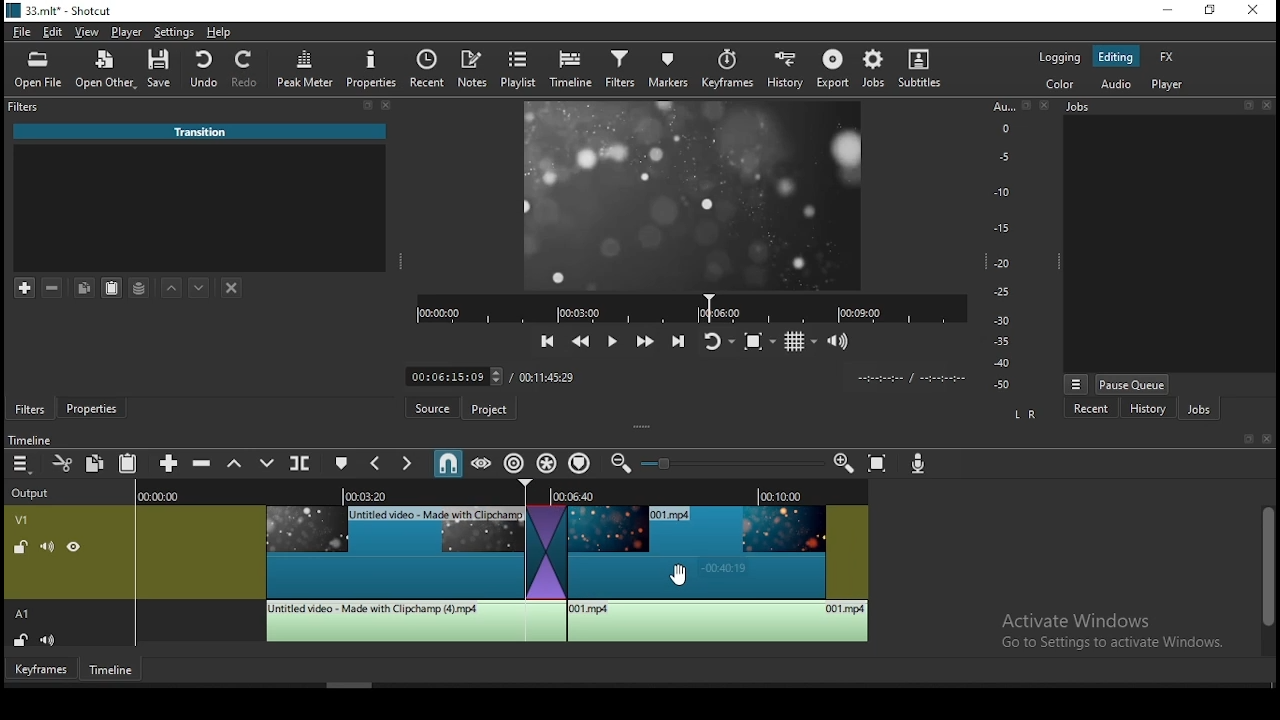 This screenshot has width=1280, height=720. Describe the element at coordinates (29, 408) in the screenshot. I see `filters` at that location.